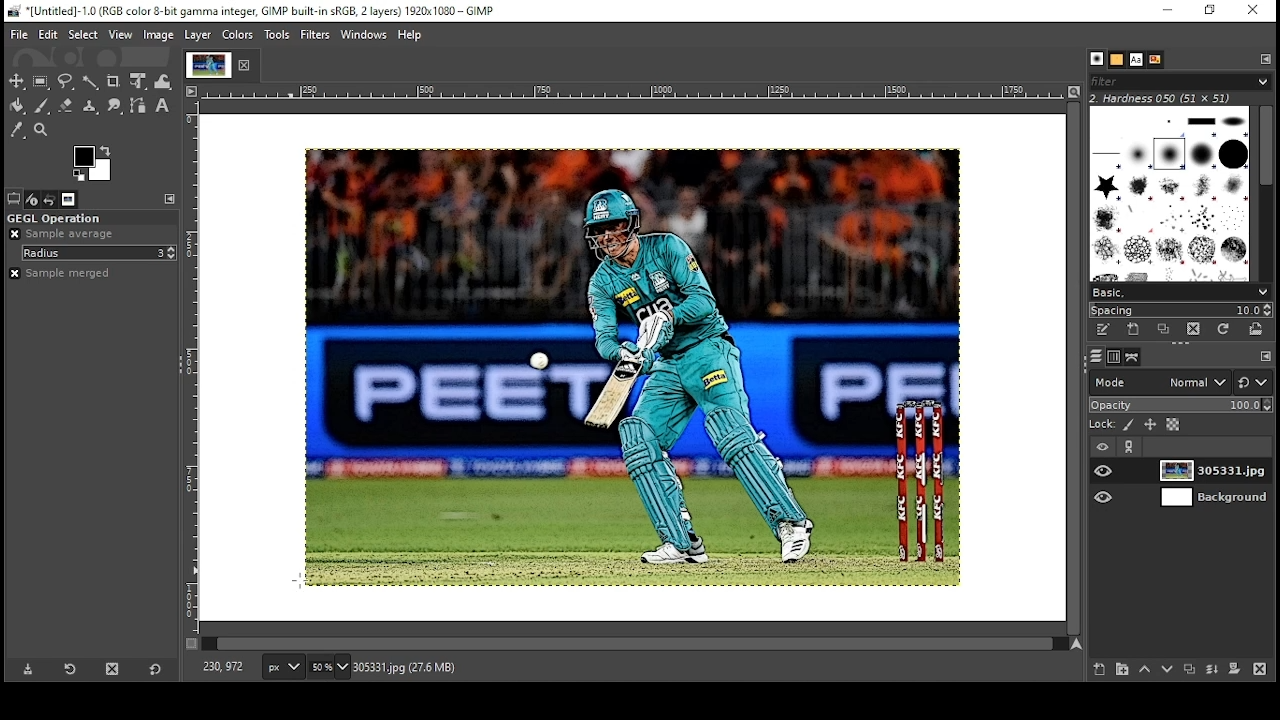  I want to click on delete tool preset, so click(113, 669).